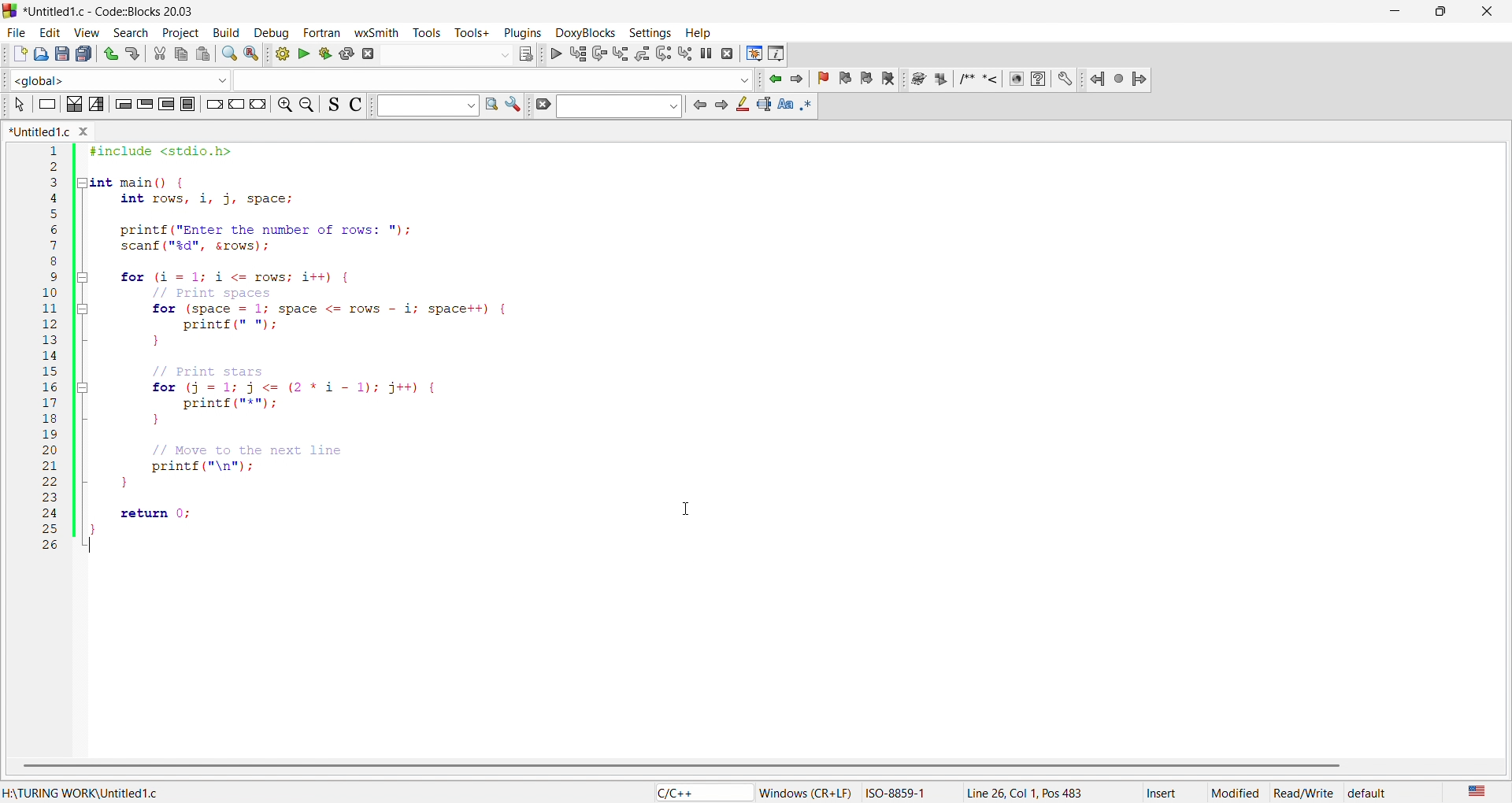  What do you see at coordinates (643, 52) in the screenshot?
I see `debugging icon` at bounding box center [643, 52].